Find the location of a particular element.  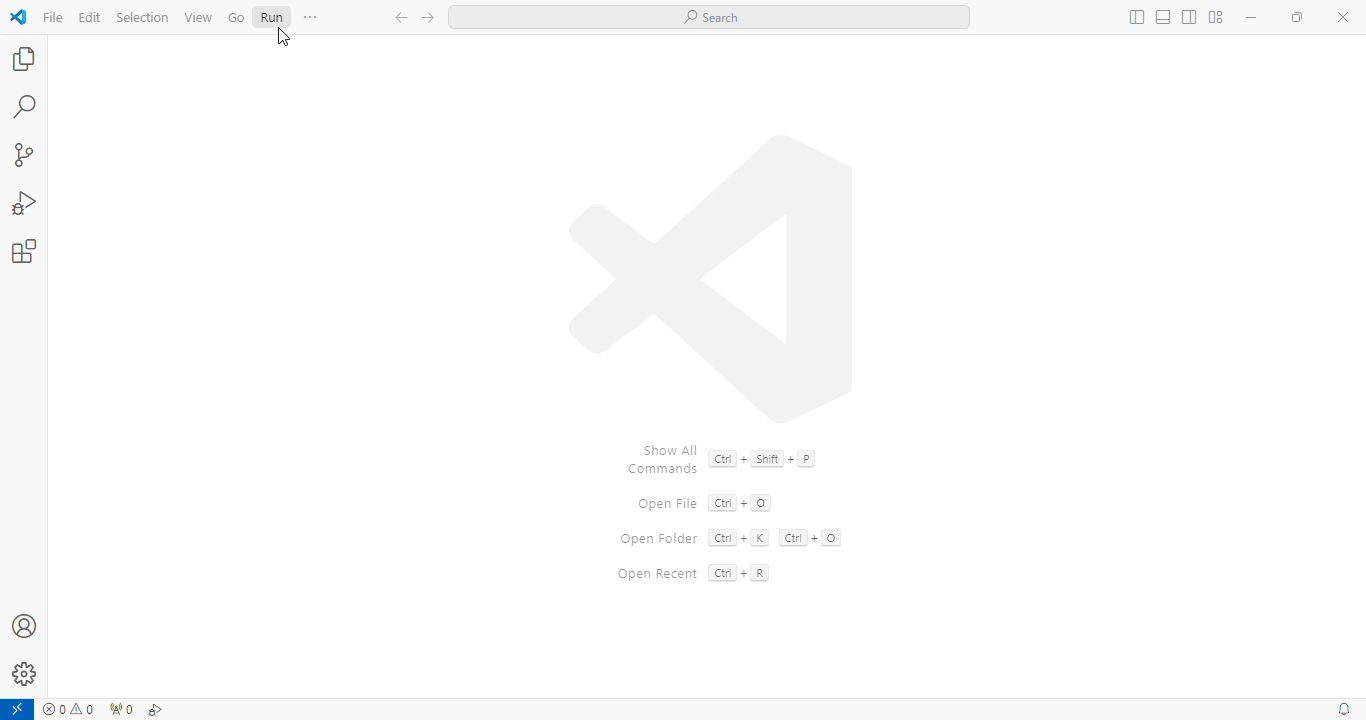

no ports forwarded is located at coordinates (119, 711).